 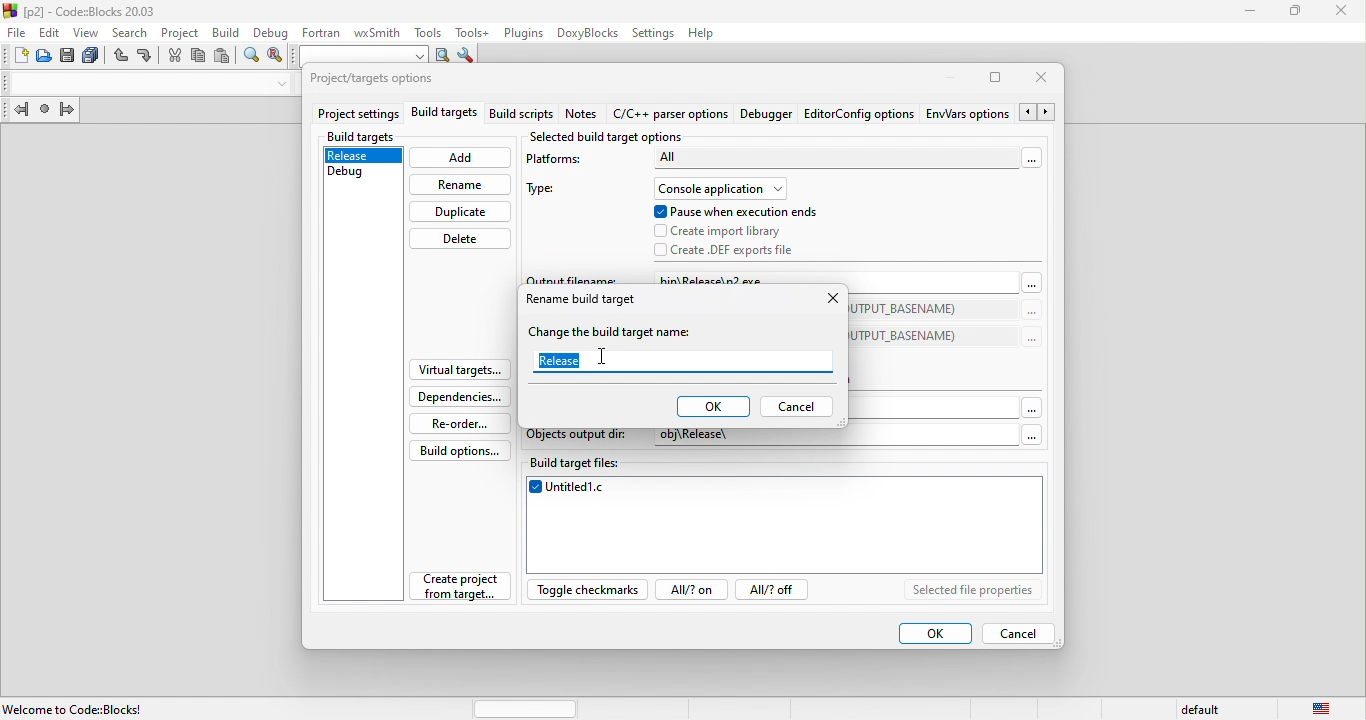 What do you see at coordinates (996, 81) in the screenshot?
I see `maximize` at bounding box center [996, 81].